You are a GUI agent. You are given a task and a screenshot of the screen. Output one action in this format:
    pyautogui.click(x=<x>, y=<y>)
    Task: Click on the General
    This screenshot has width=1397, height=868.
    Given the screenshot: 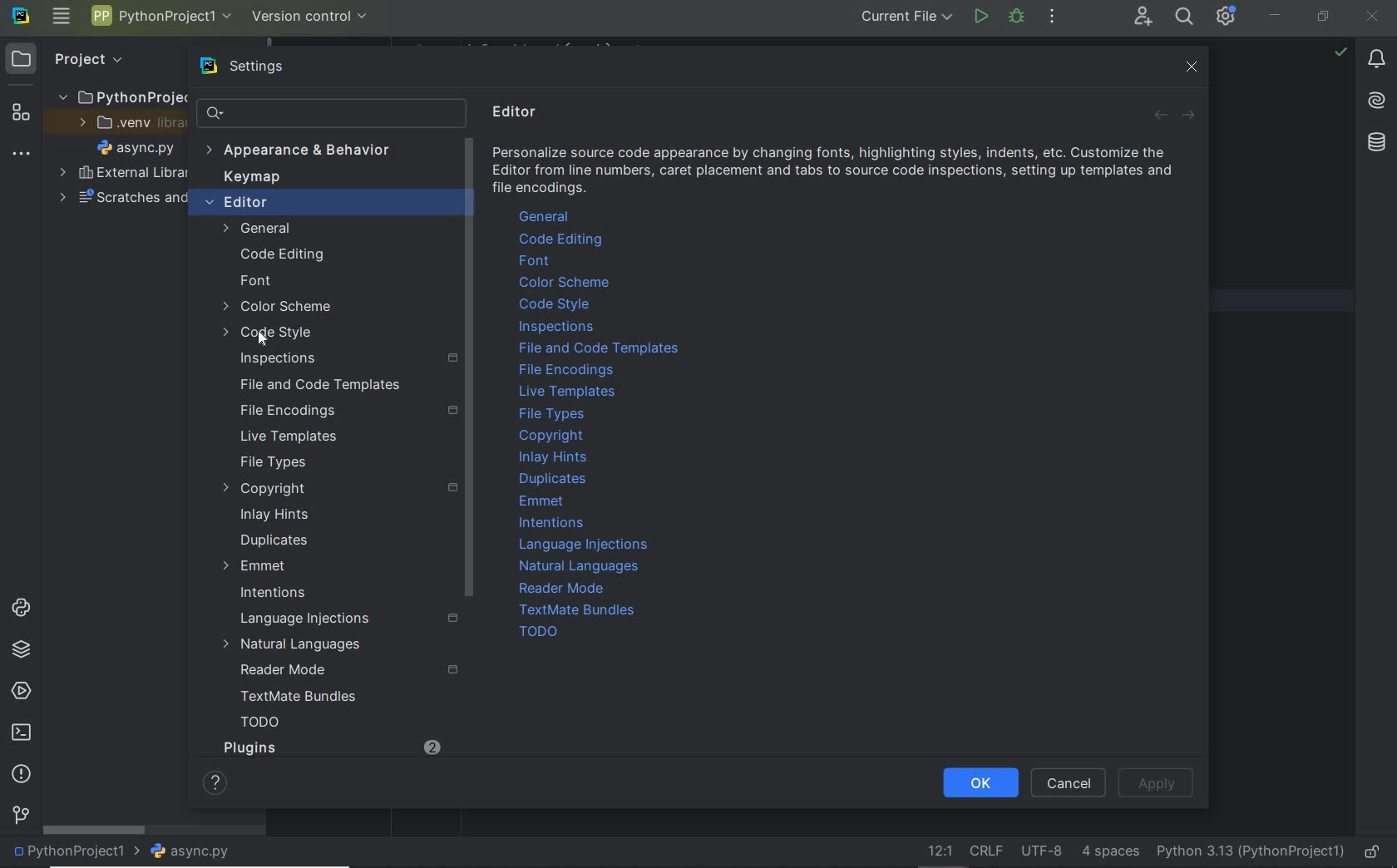 What is the action you would take?
    pyautogui.click(x=548, y=216)
    